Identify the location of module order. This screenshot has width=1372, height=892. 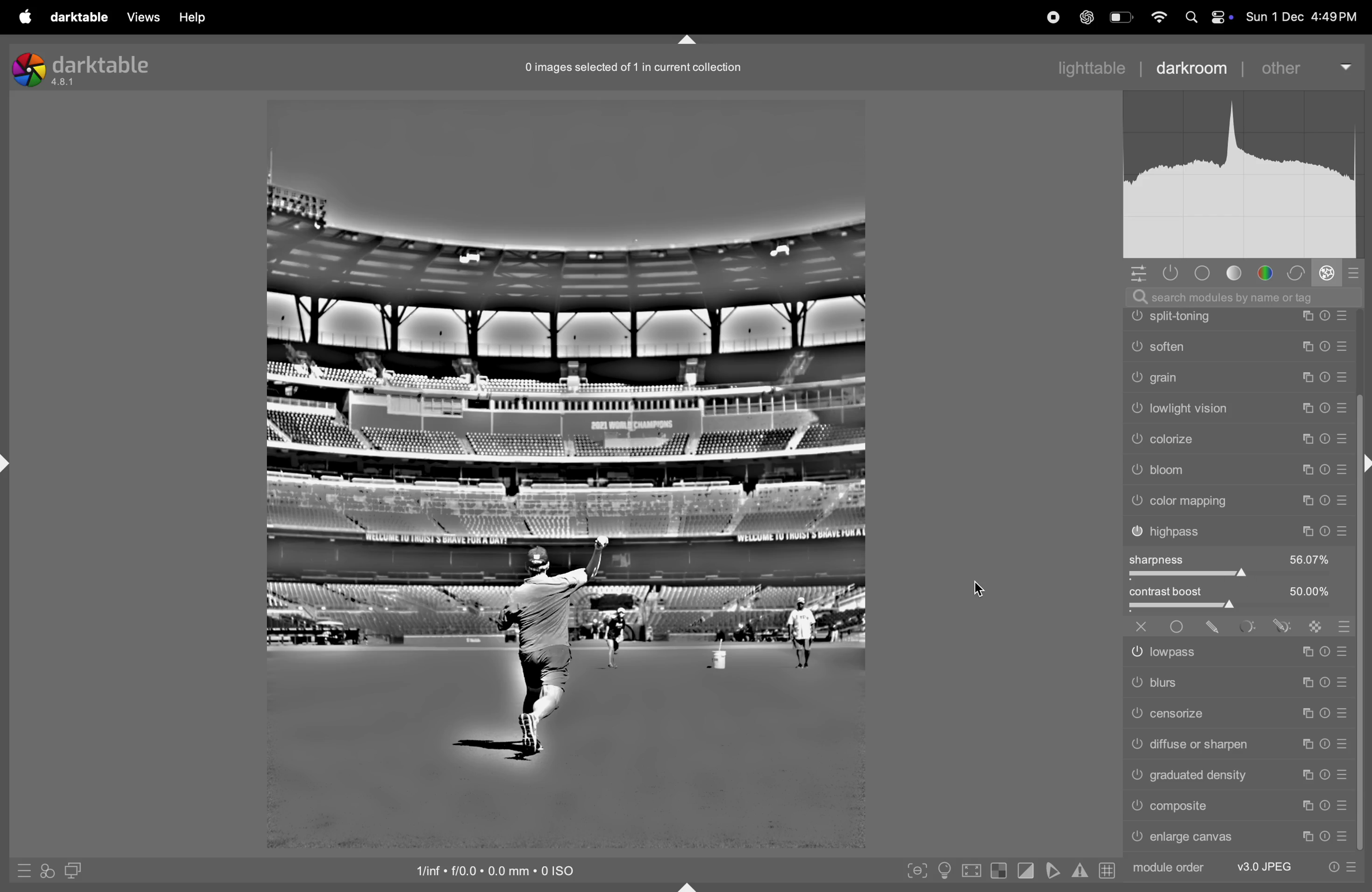
(1169, 868).